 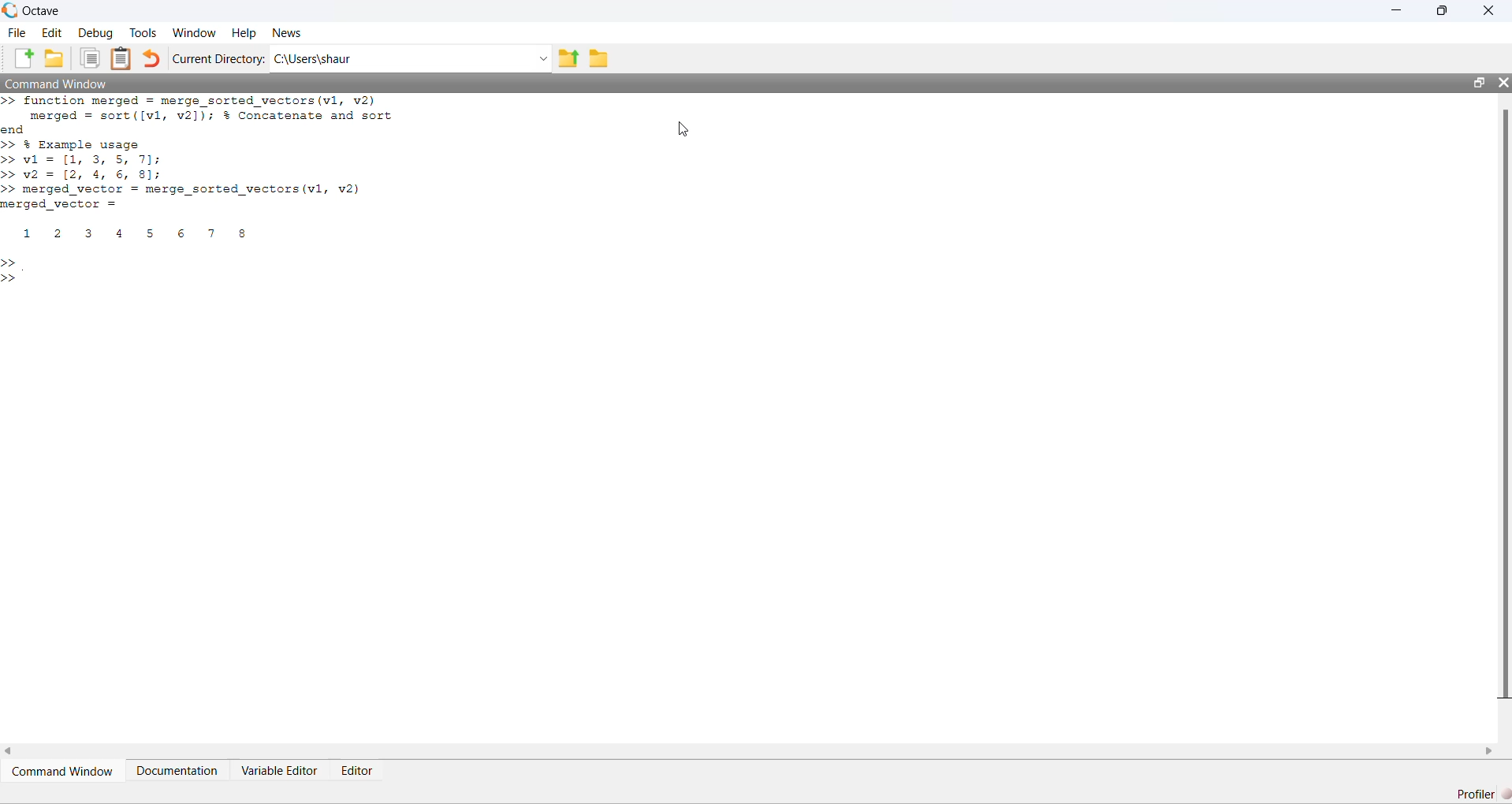 I want to click on scroll bar, so click(x=1504, y=403).